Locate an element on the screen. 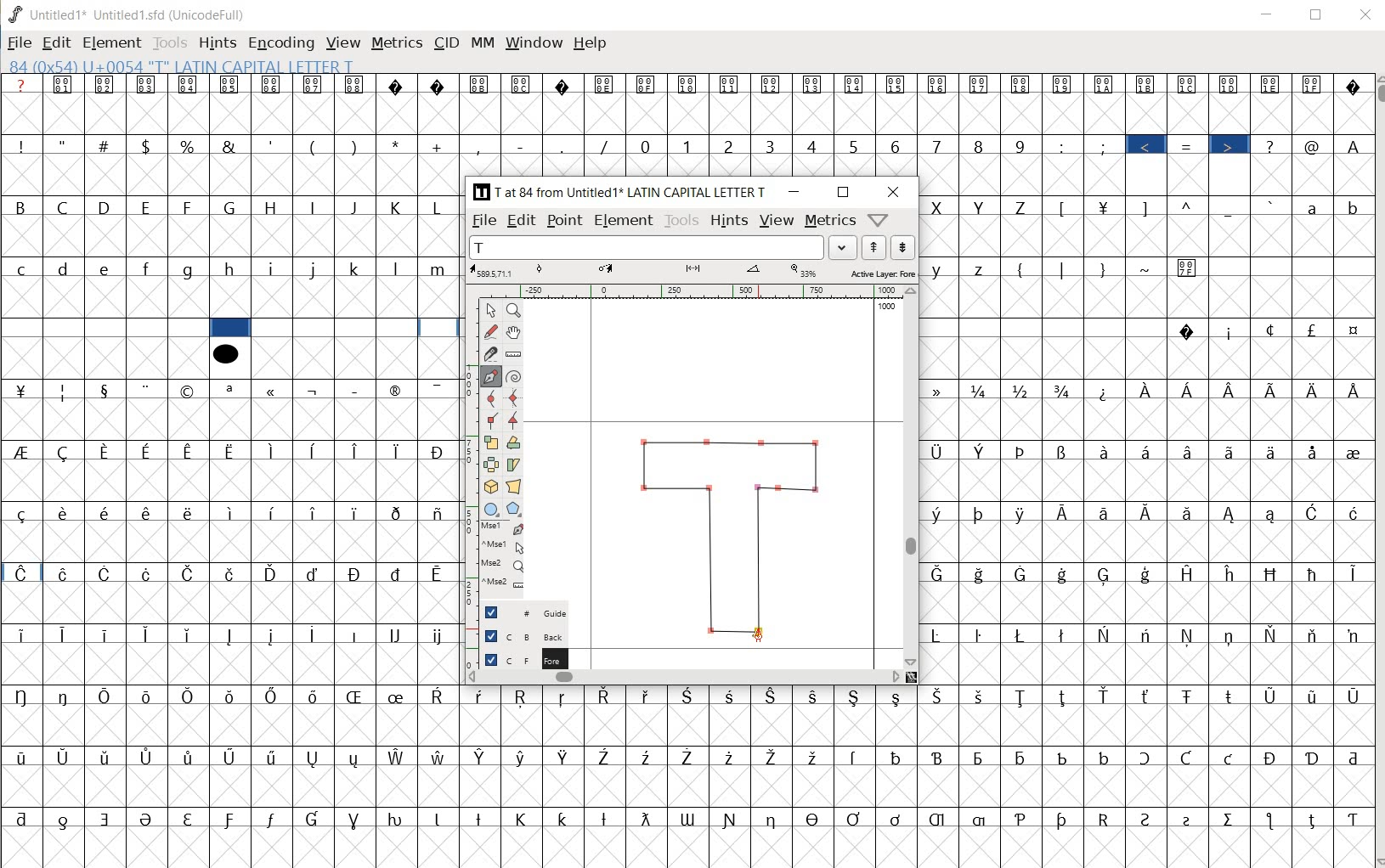 The width and height of the screenshot is (1385, 868). Symbol is located at coordinates (1274, 515).